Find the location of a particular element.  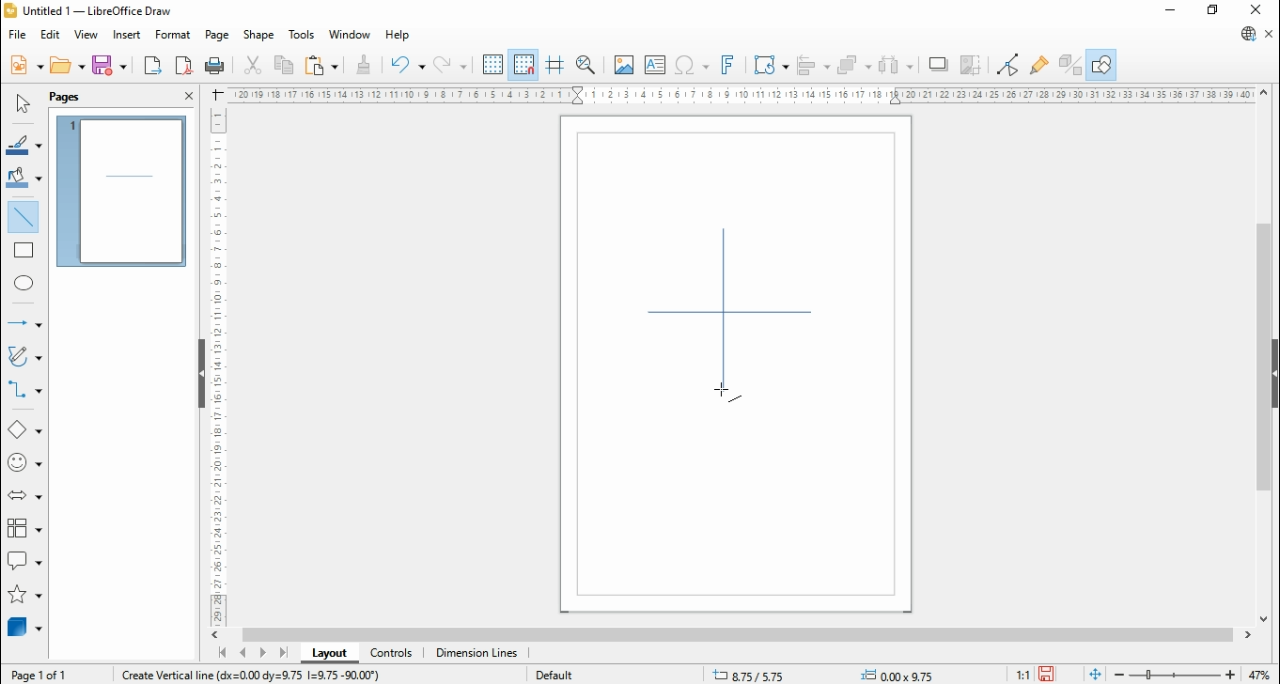

edit is located at coordinates (50, 36).